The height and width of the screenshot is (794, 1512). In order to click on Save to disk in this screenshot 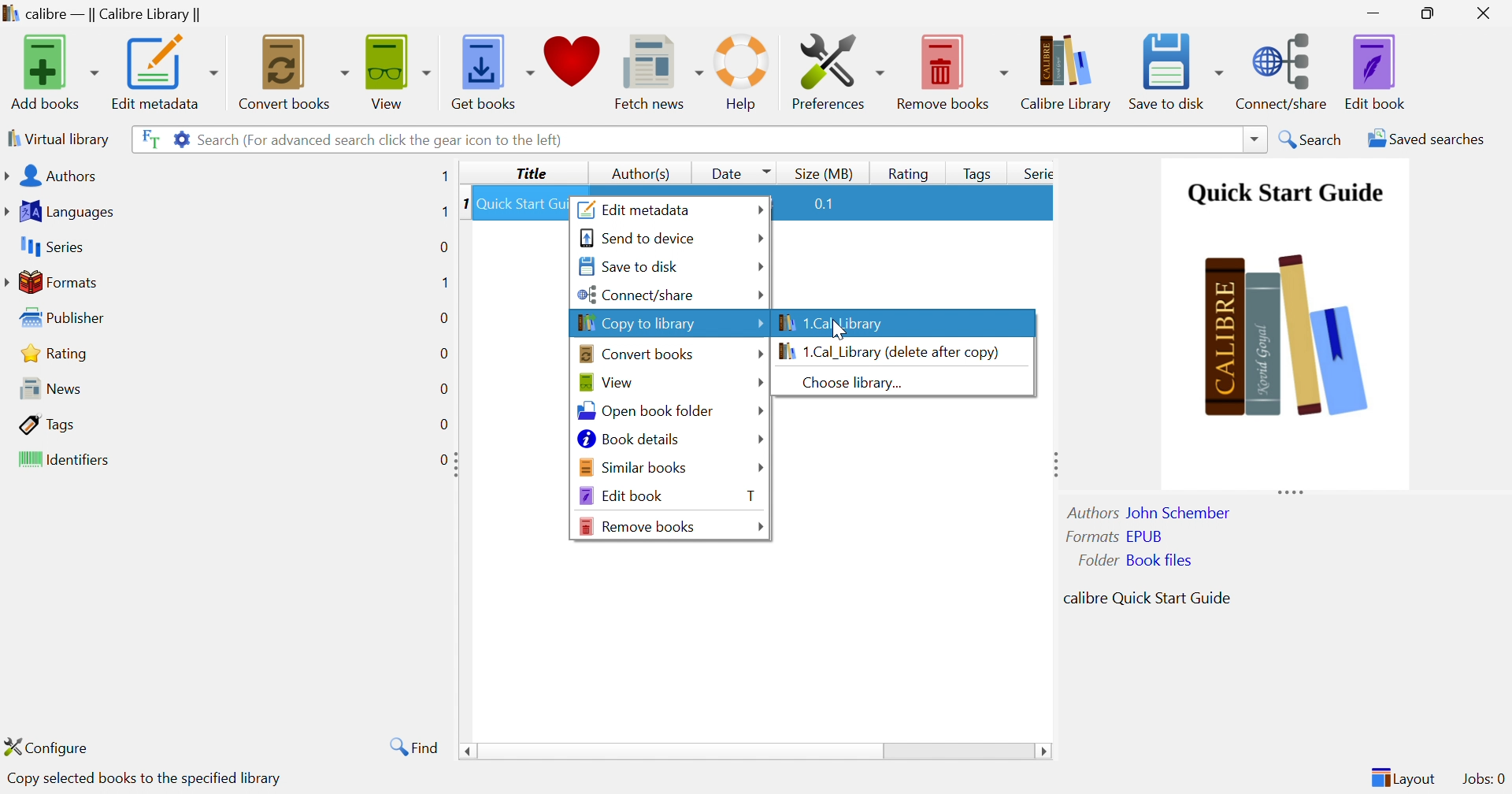, I will do `click(1175, 71)`.